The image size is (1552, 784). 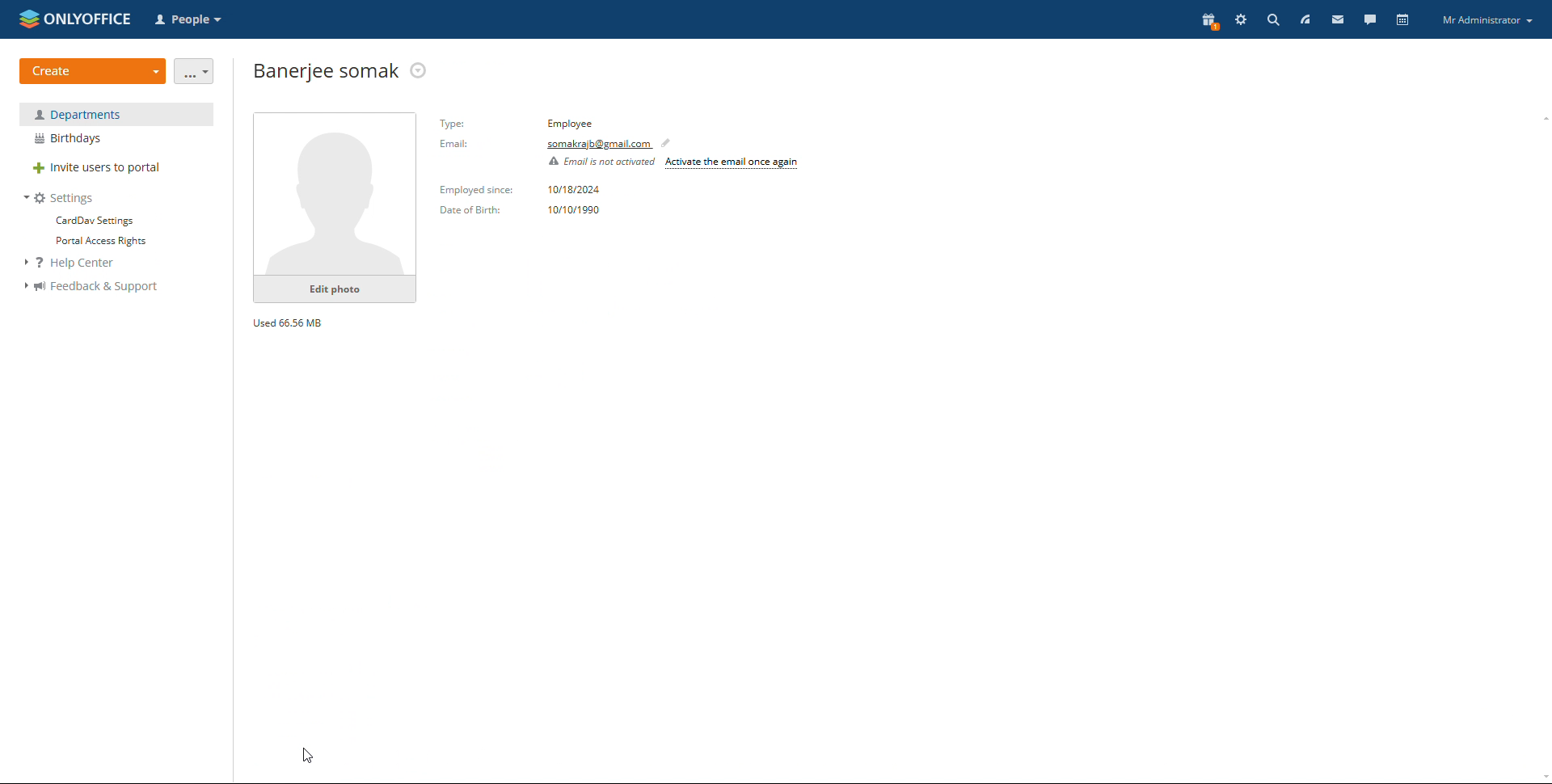 I want to click on department, so click(x=116, y=114).